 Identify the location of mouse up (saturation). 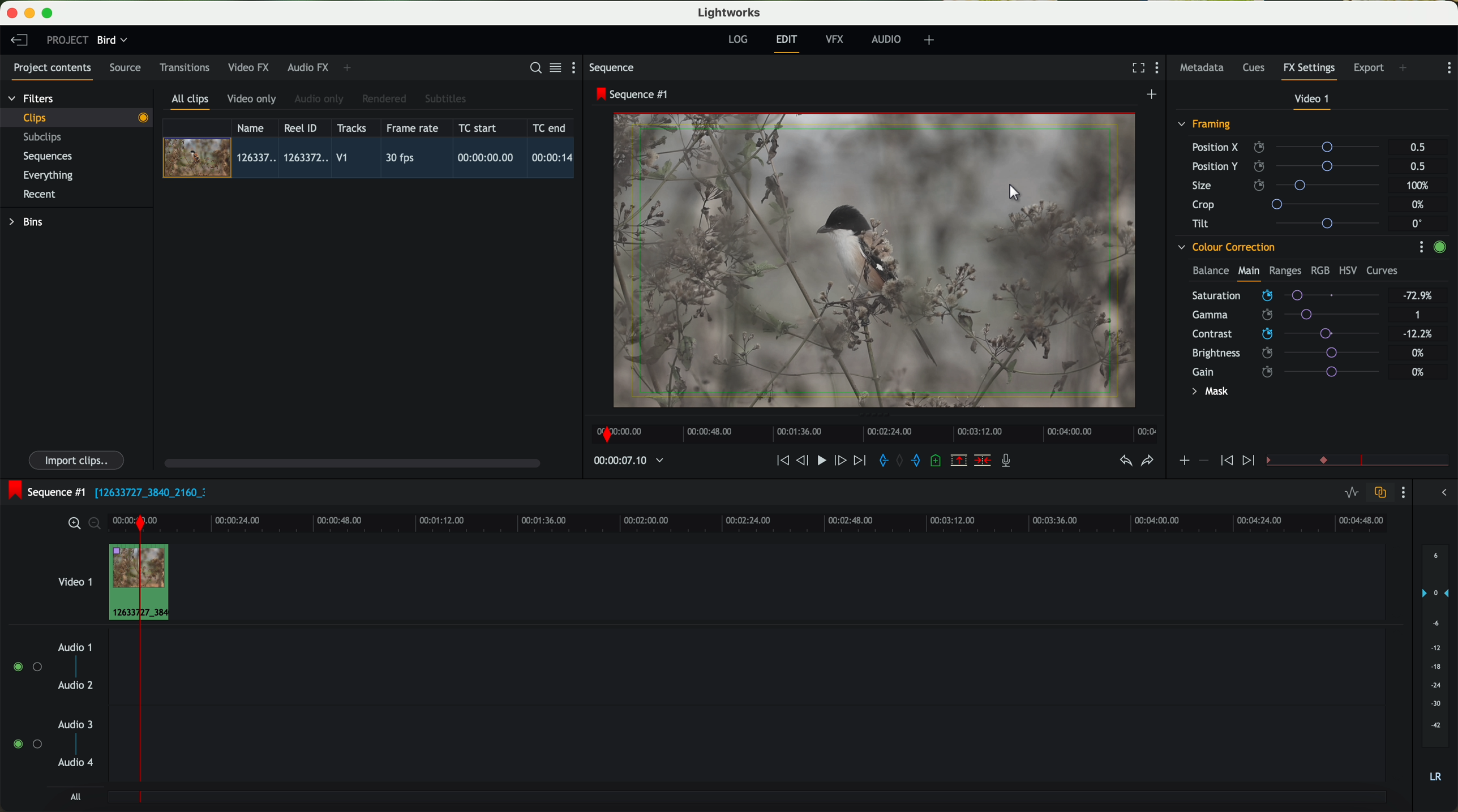
(1285, 293).